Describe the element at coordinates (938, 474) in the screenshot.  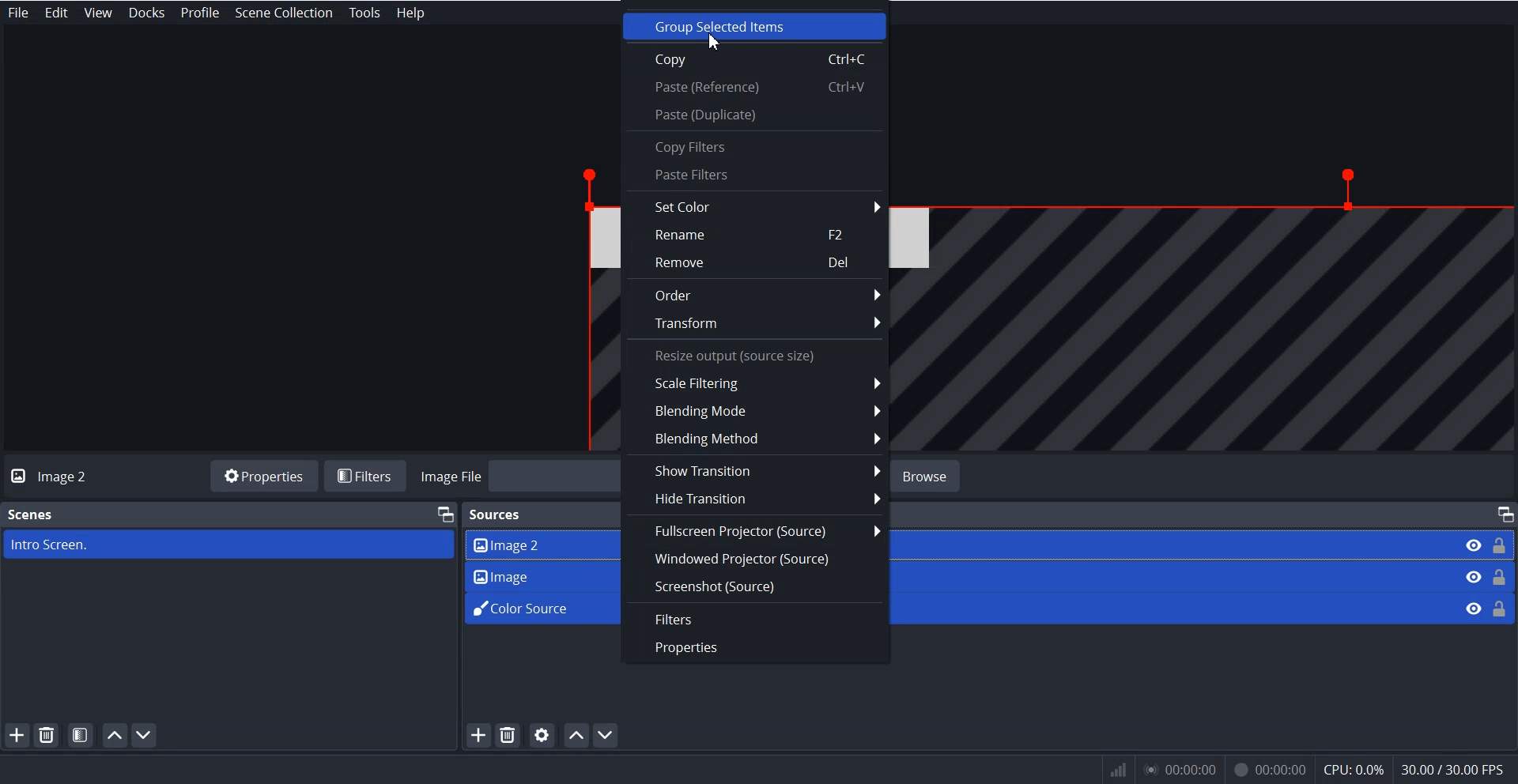
I see `browse` at that location.